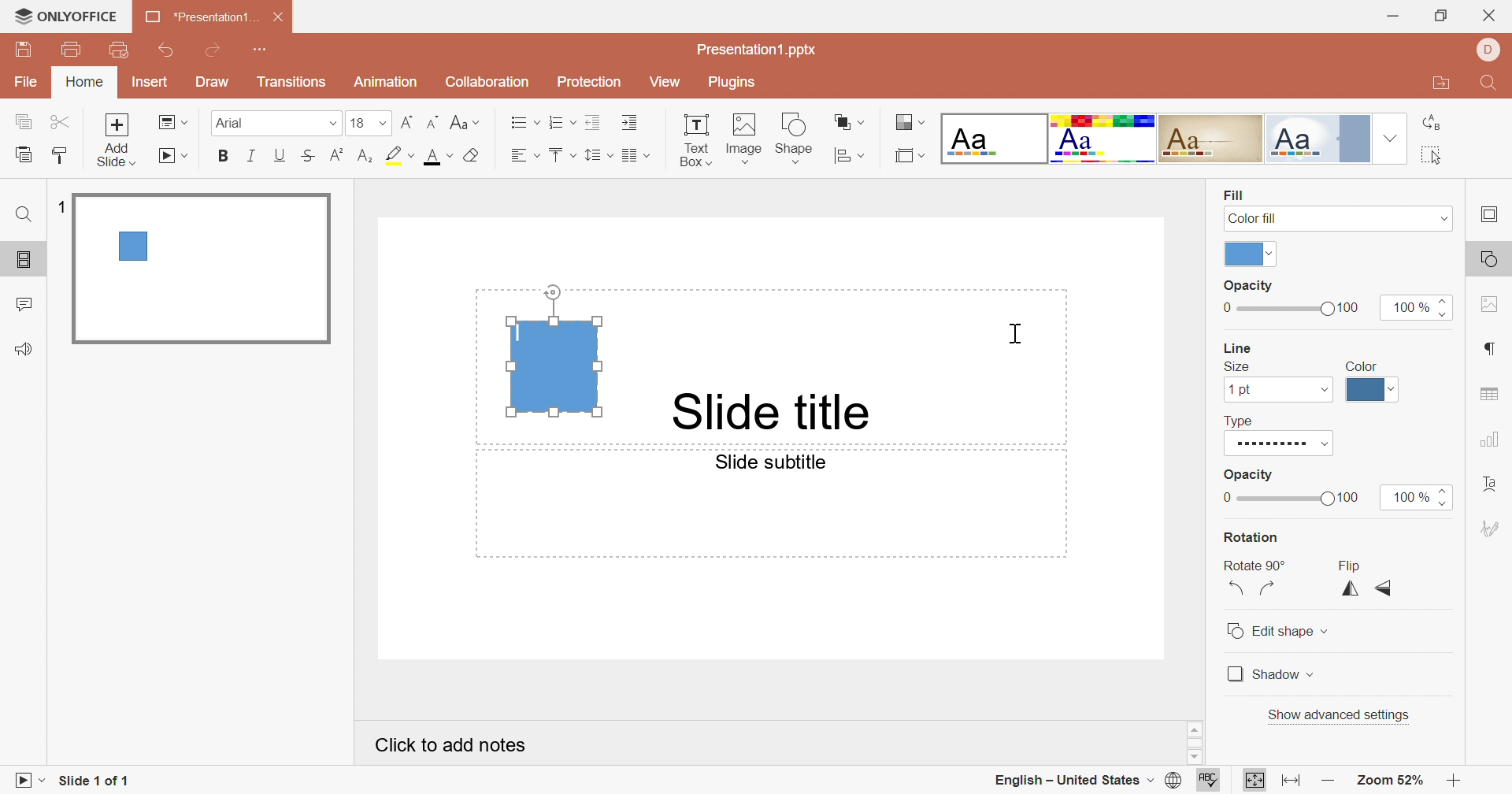 Image resolution: width=1512 pixels, height=794 pixels. Describe the element at coordinates (1491, 82) in the screenshot. I see `Find` at that location.